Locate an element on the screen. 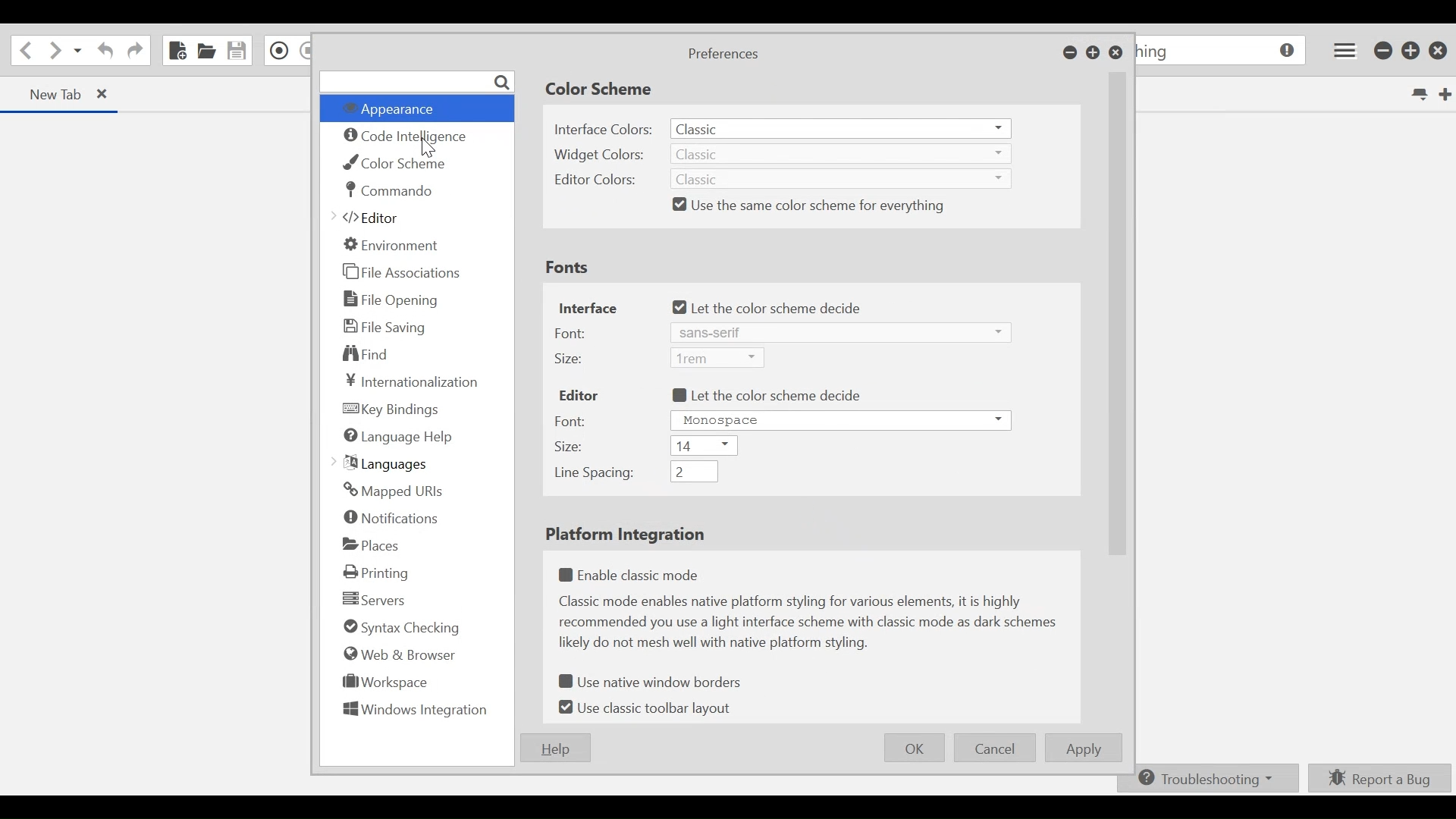 This screenshot has width=1456, height=819. Go back one location is located at coordinates (24, 51).